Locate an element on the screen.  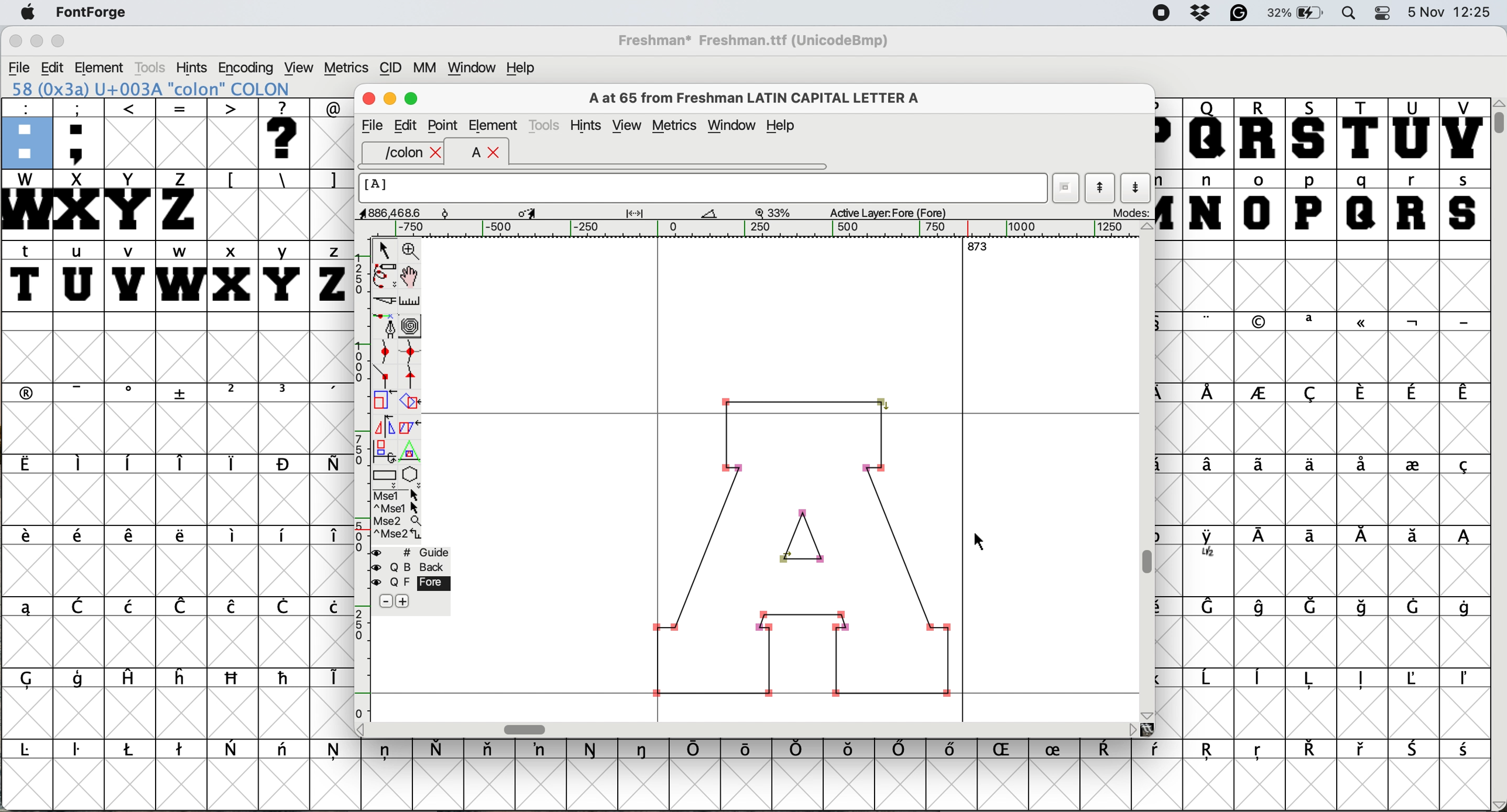
back is located at coordinates (408, 565).